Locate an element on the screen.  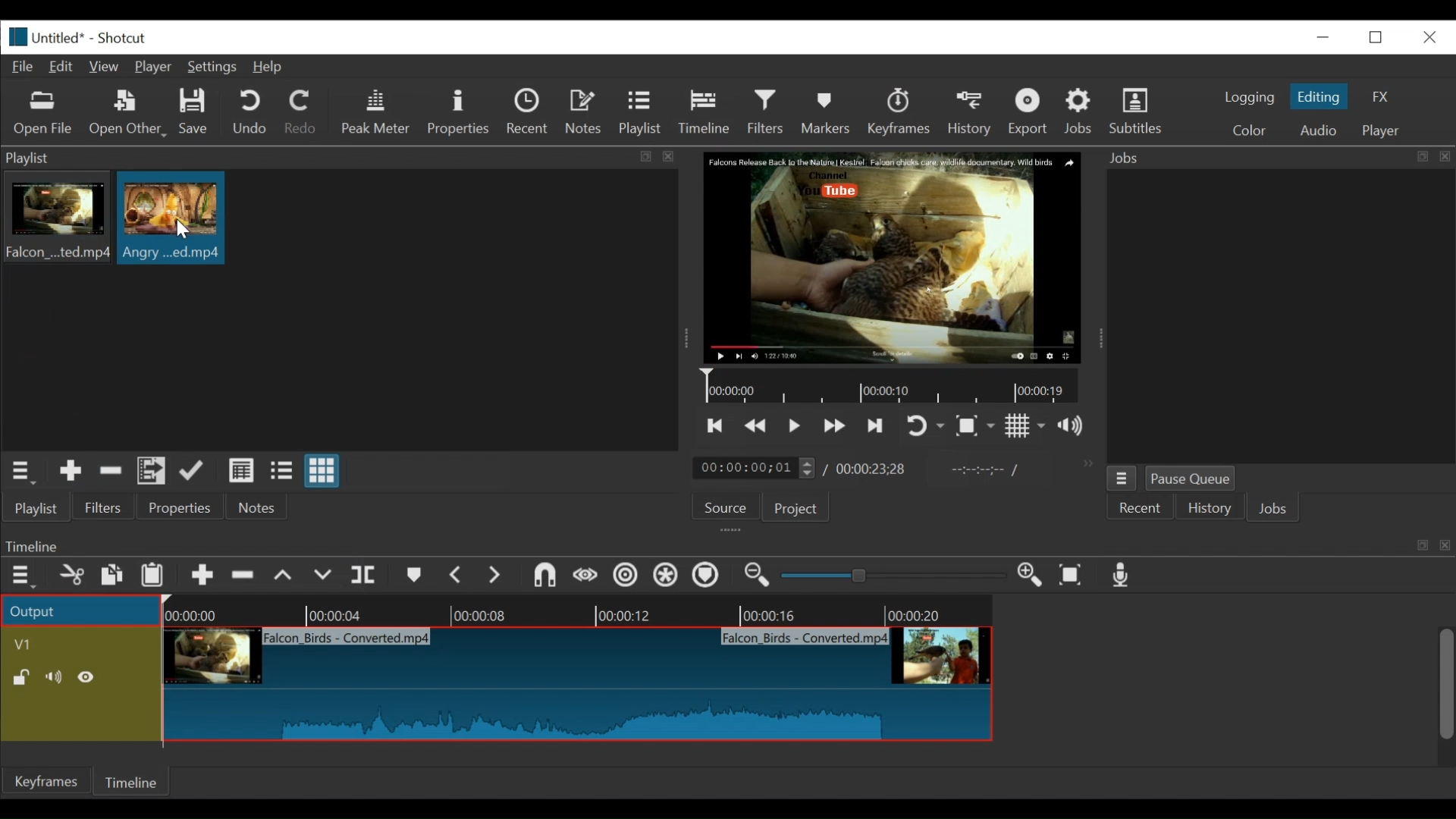
Editing is located at coordinates (1321, 96).